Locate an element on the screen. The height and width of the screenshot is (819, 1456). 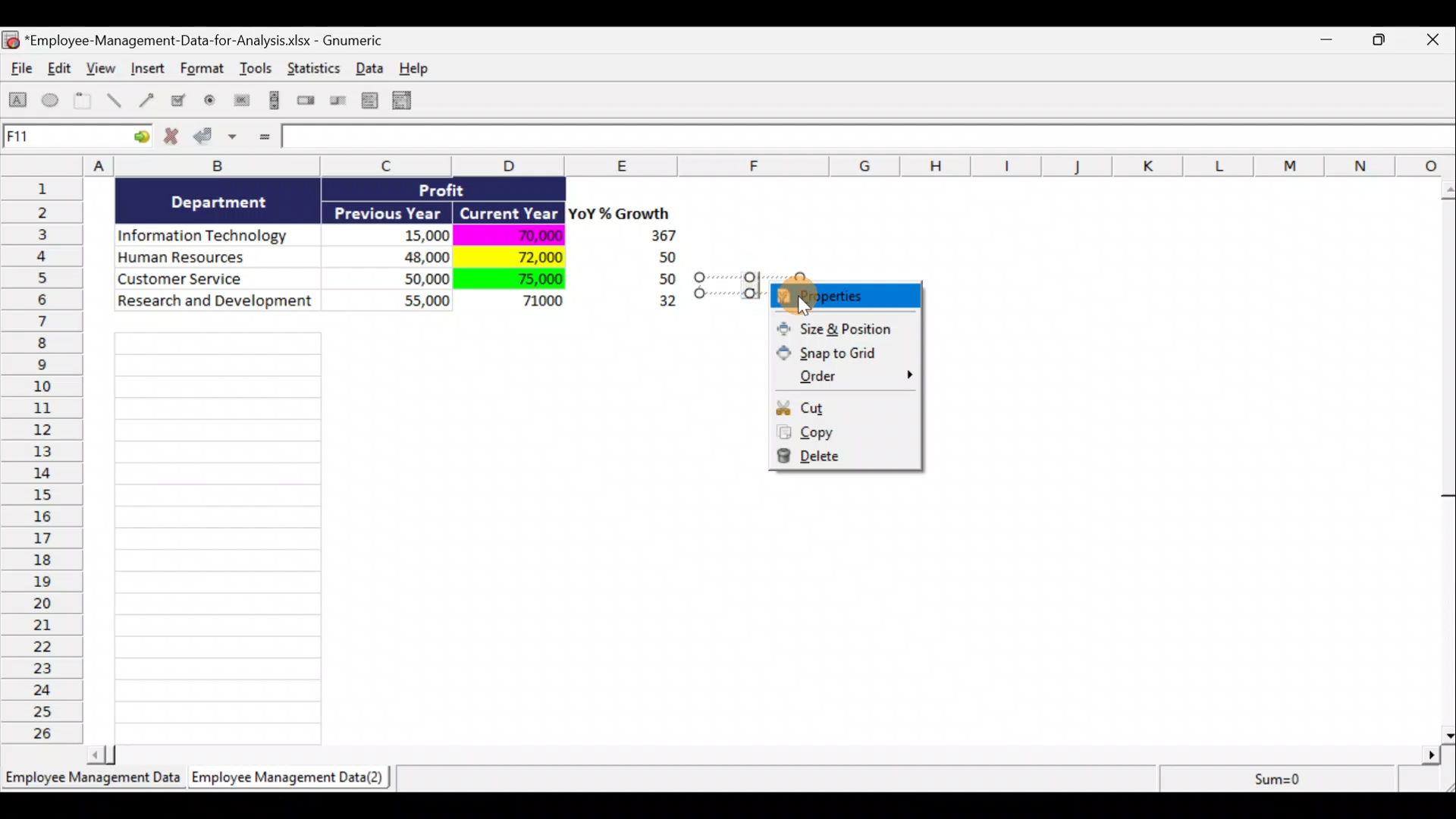
Delete is located at coordinates (852, 459).